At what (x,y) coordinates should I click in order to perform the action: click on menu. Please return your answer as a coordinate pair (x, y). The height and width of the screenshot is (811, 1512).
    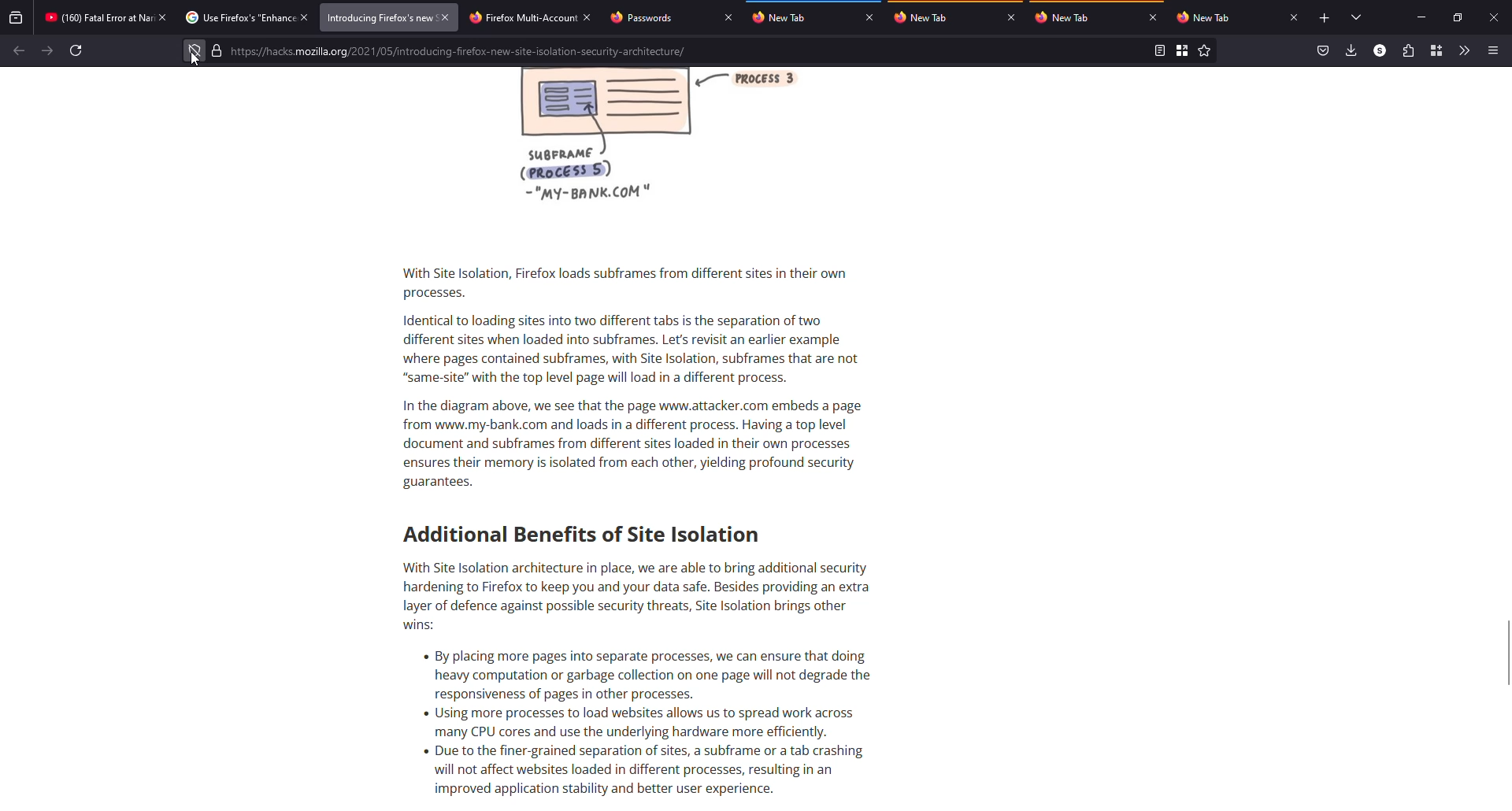
    Looking at the image, I should click on (1494, 50).